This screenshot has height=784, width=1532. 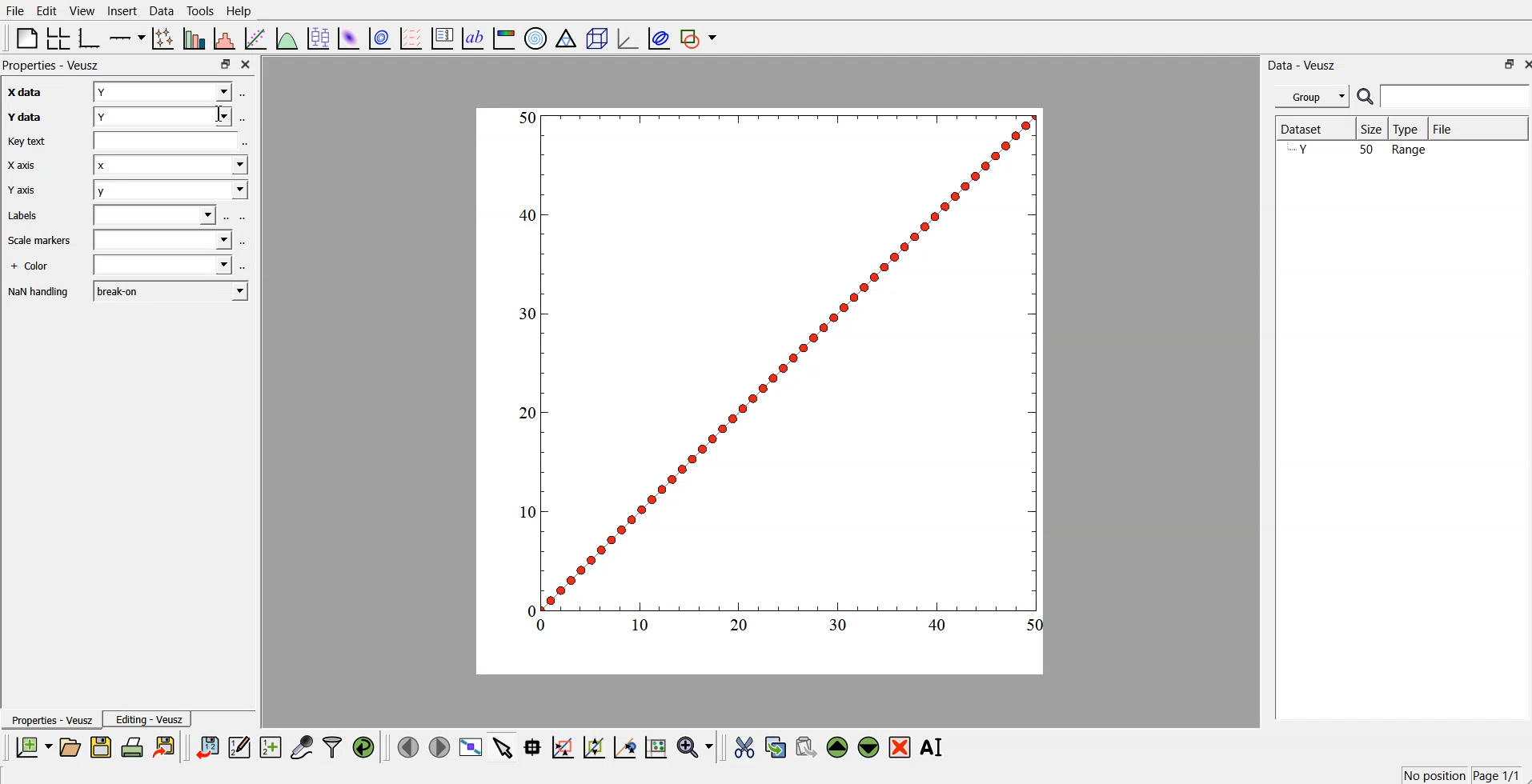 I want to click on edit and enter datapoints, so click(x=240, y=748).